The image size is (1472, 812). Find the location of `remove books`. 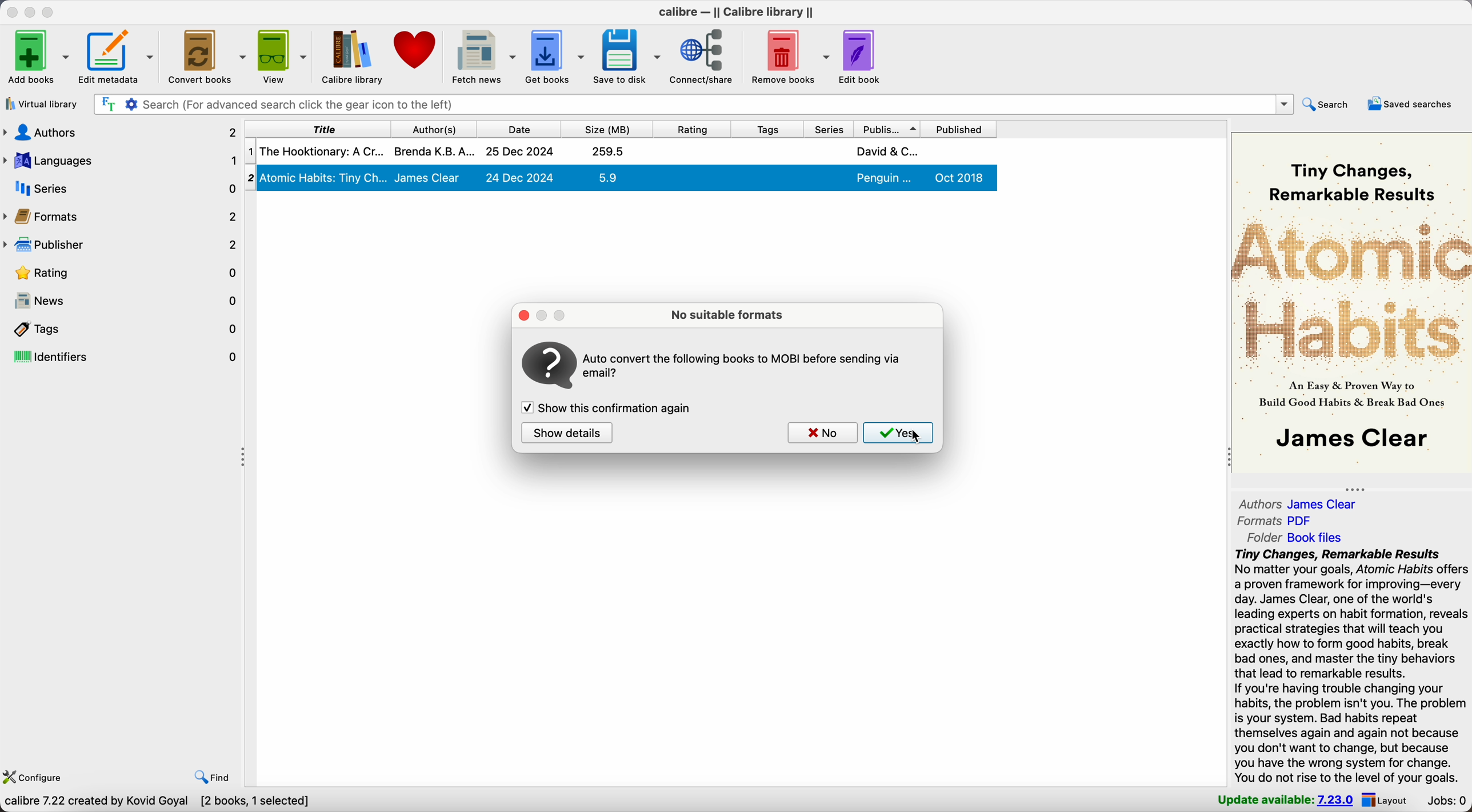

remove books is located at coordinates (787, 55).